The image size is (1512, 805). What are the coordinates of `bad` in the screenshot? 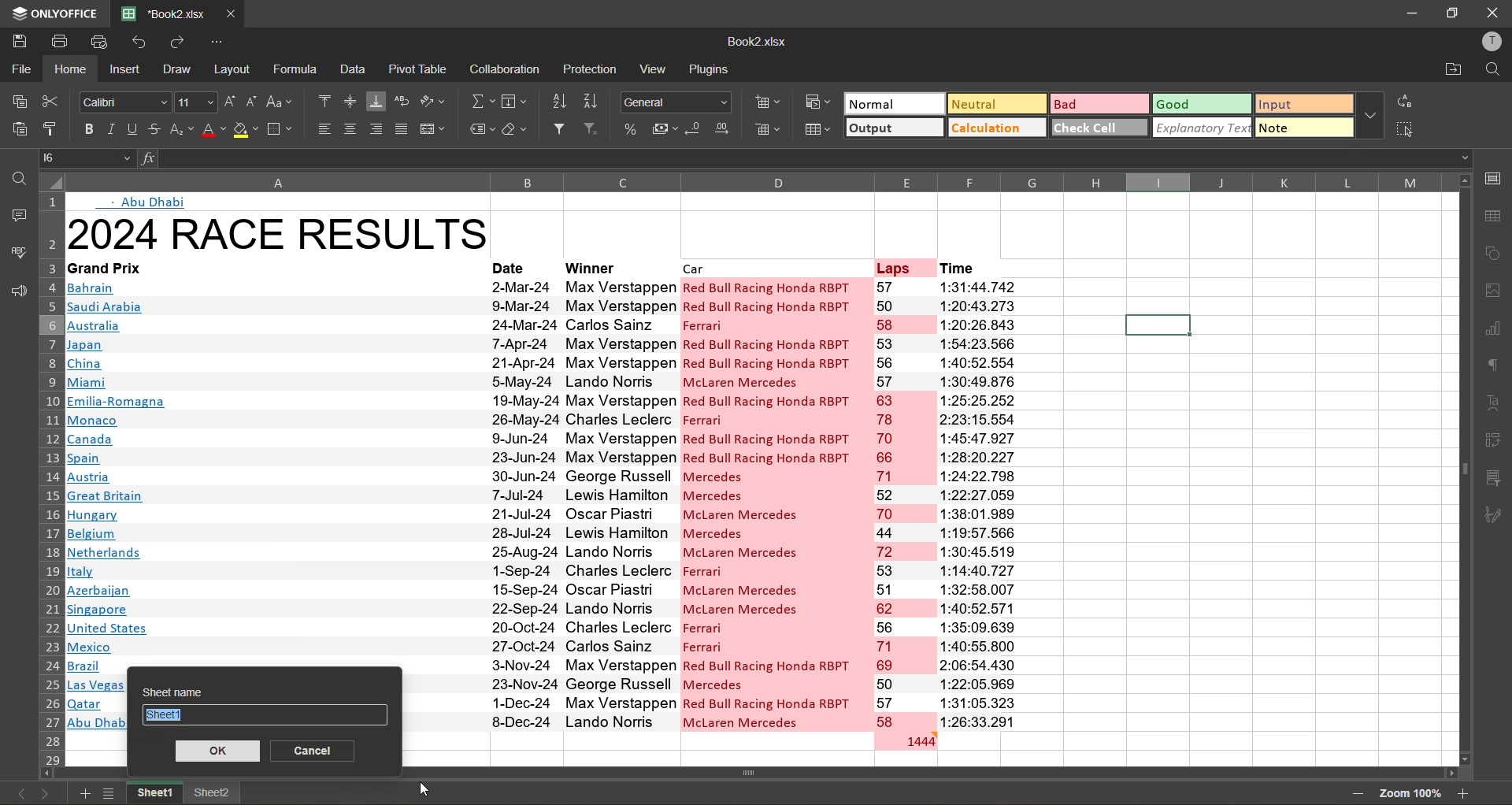 It's located at (1096, 102).